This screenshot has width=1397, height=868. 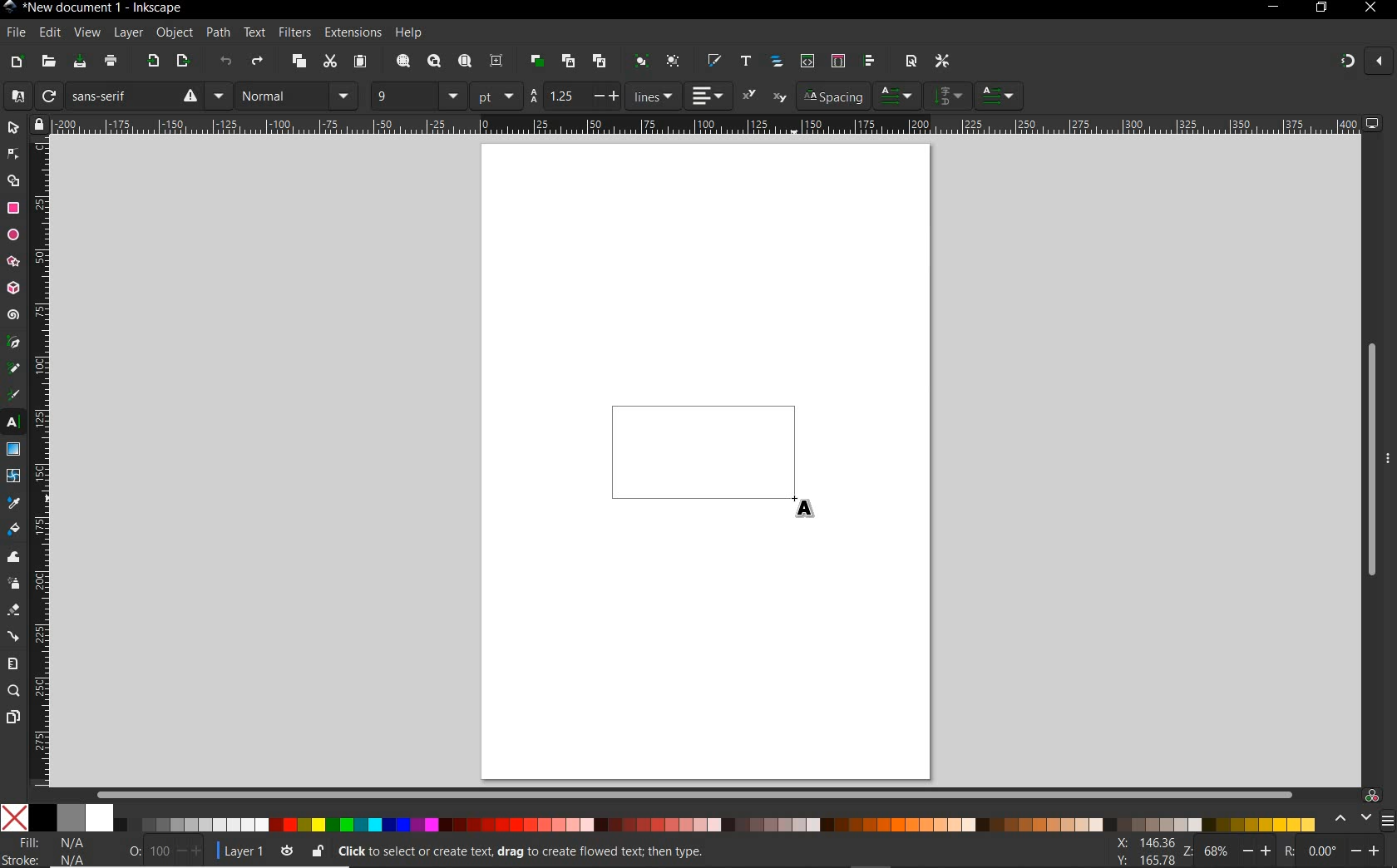 I want to click on open preferences, so click(x=943, y=62).